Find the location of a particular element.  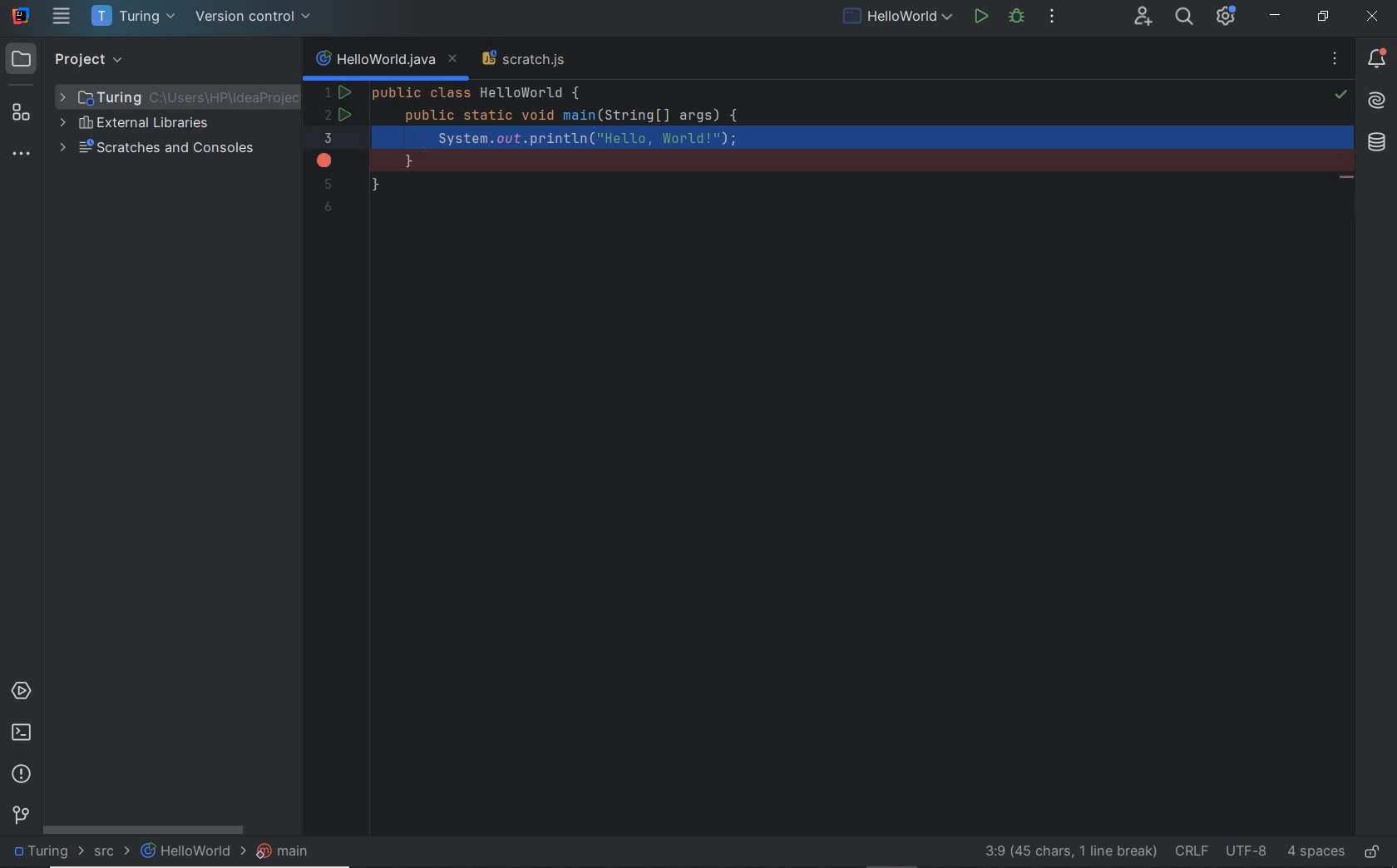

main menu is located at coordinates (62, 18).